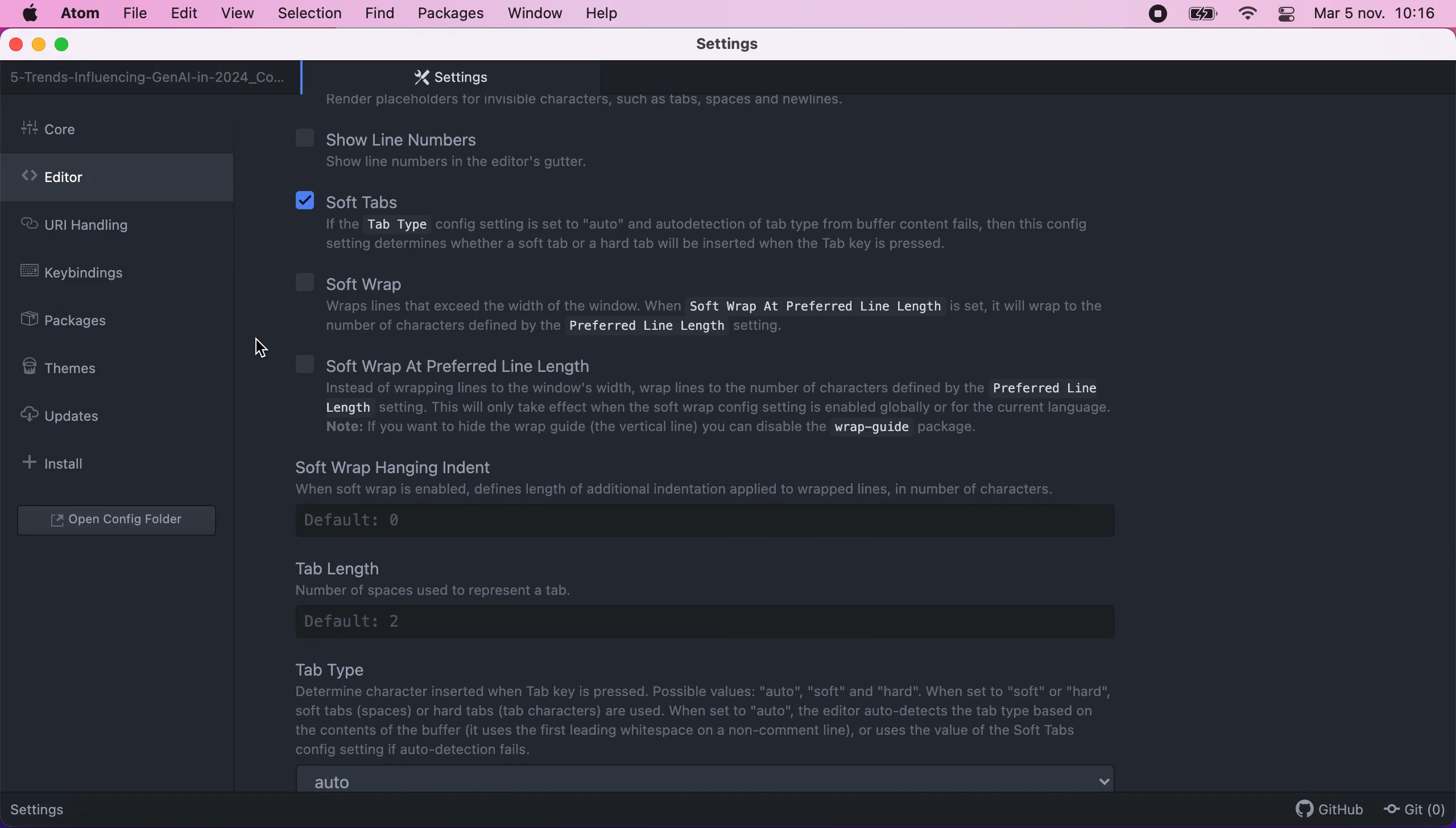 The image size is (1456, 828). What do you see at coordinates (730, 496) in the screenshot?
I see `soft wrap hanging indent` at bounding box center [730, 496].